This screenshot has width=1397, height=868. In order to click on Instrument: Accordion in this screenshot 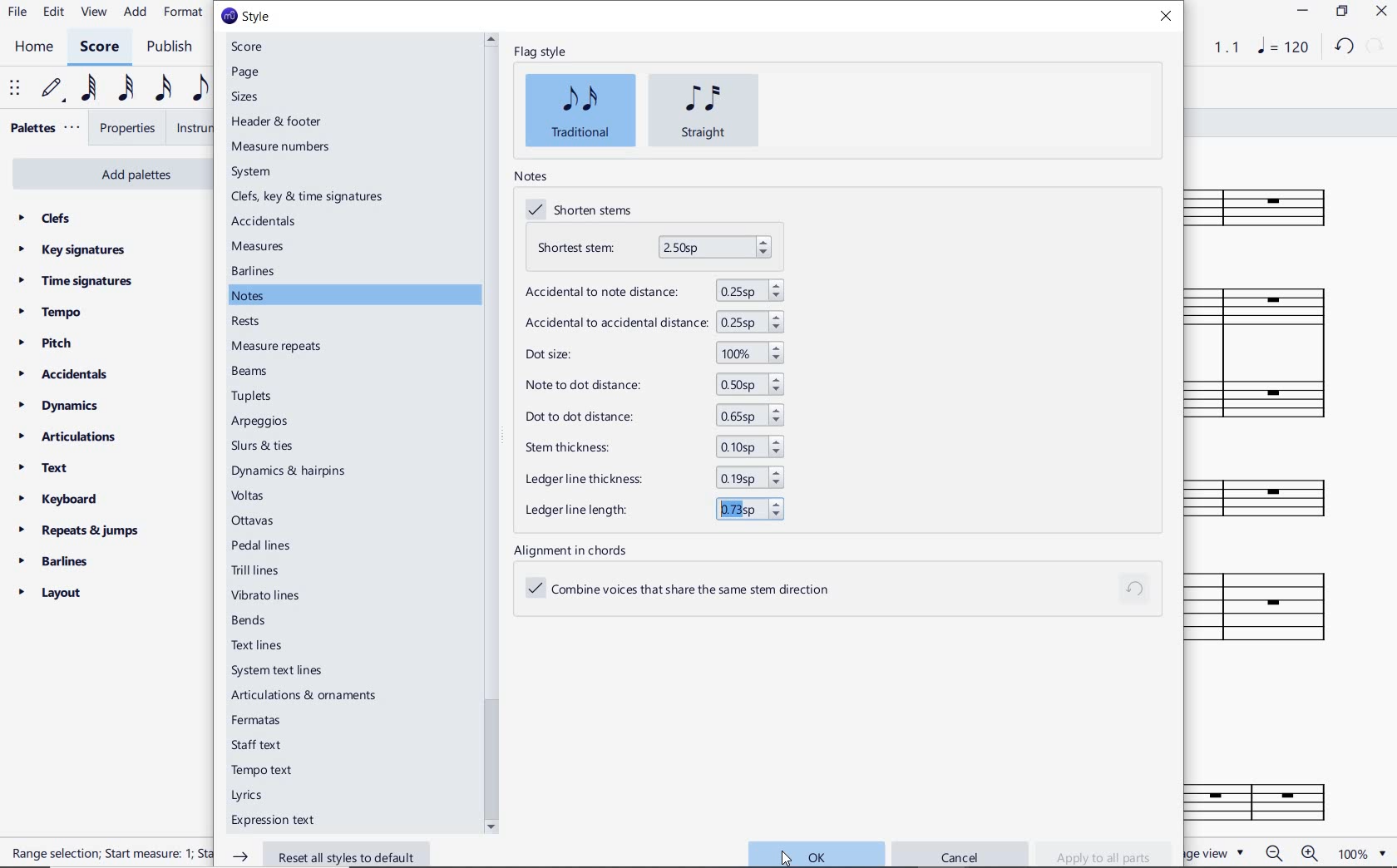, I will do `click(1271, 353)`.